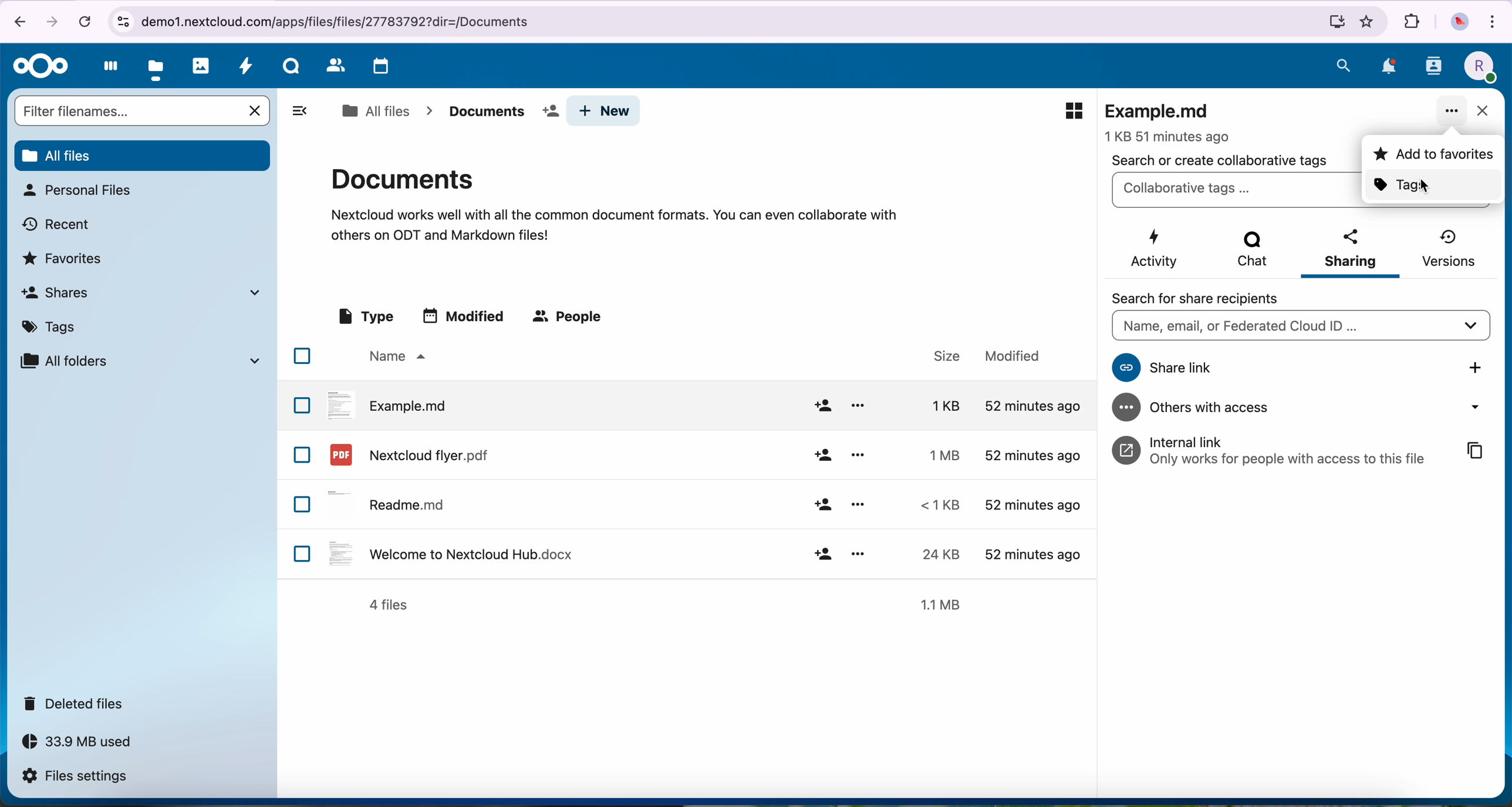  What do you see at coordinates (824, 553) in the screenshot?
I see `add` at bounding box center [824, 553].